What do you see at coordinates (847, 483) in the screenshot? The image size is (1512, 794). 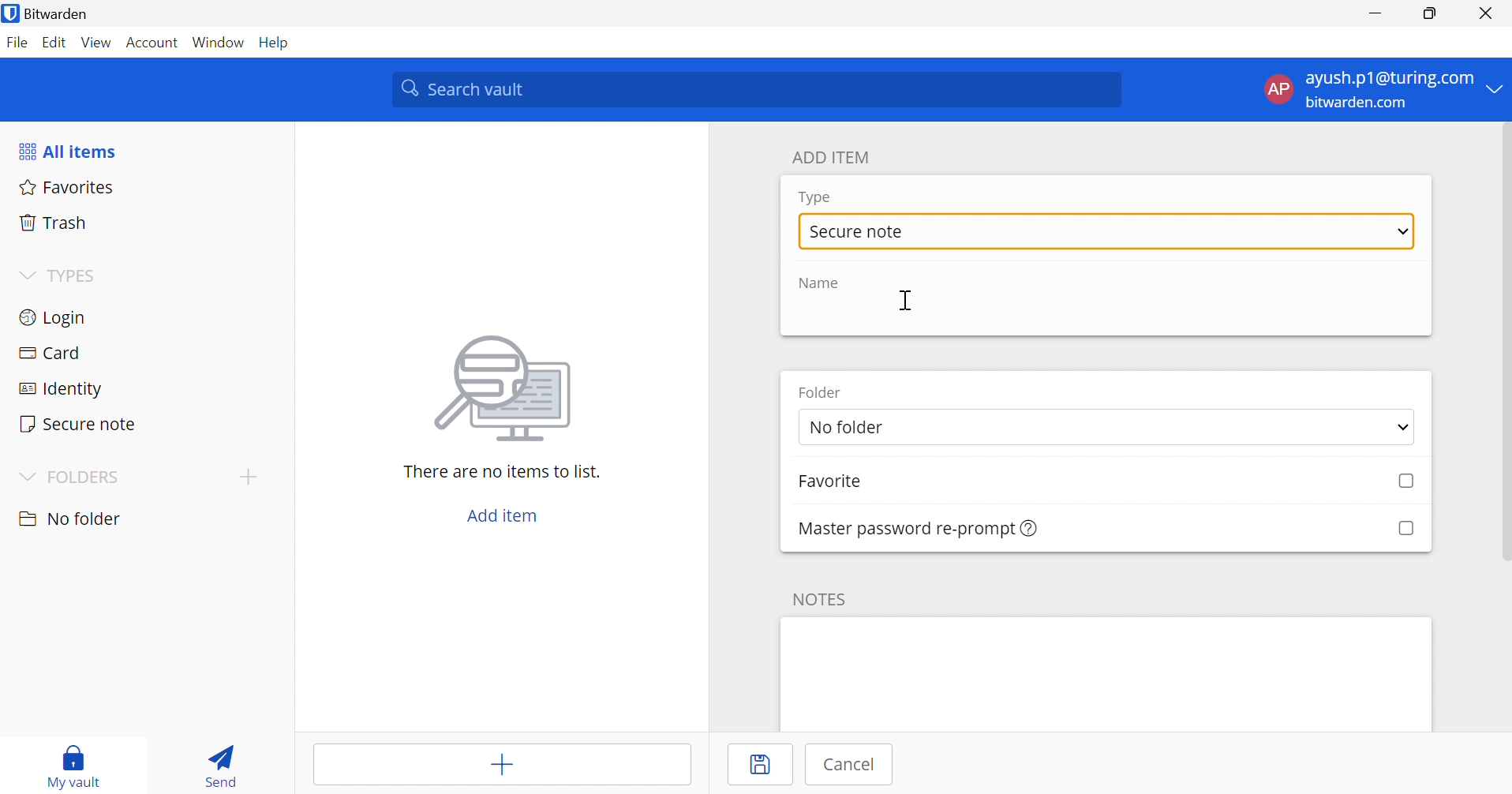 I see `Favorite` at bounding box center [847, 483].